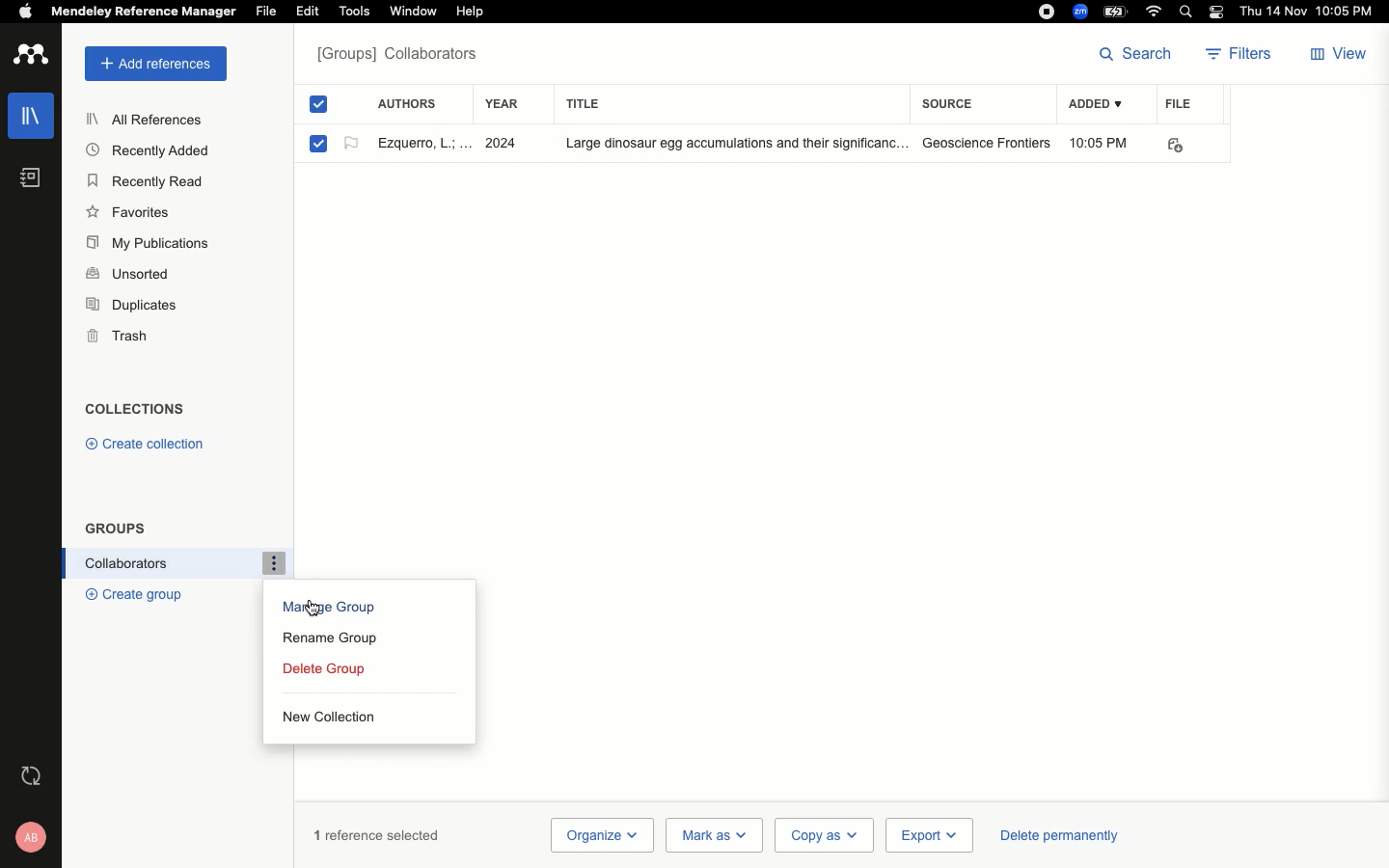  What do you see at coordinates (407, 101) in the screenshot?
I see `Authors` at bounding box center [407, 101].